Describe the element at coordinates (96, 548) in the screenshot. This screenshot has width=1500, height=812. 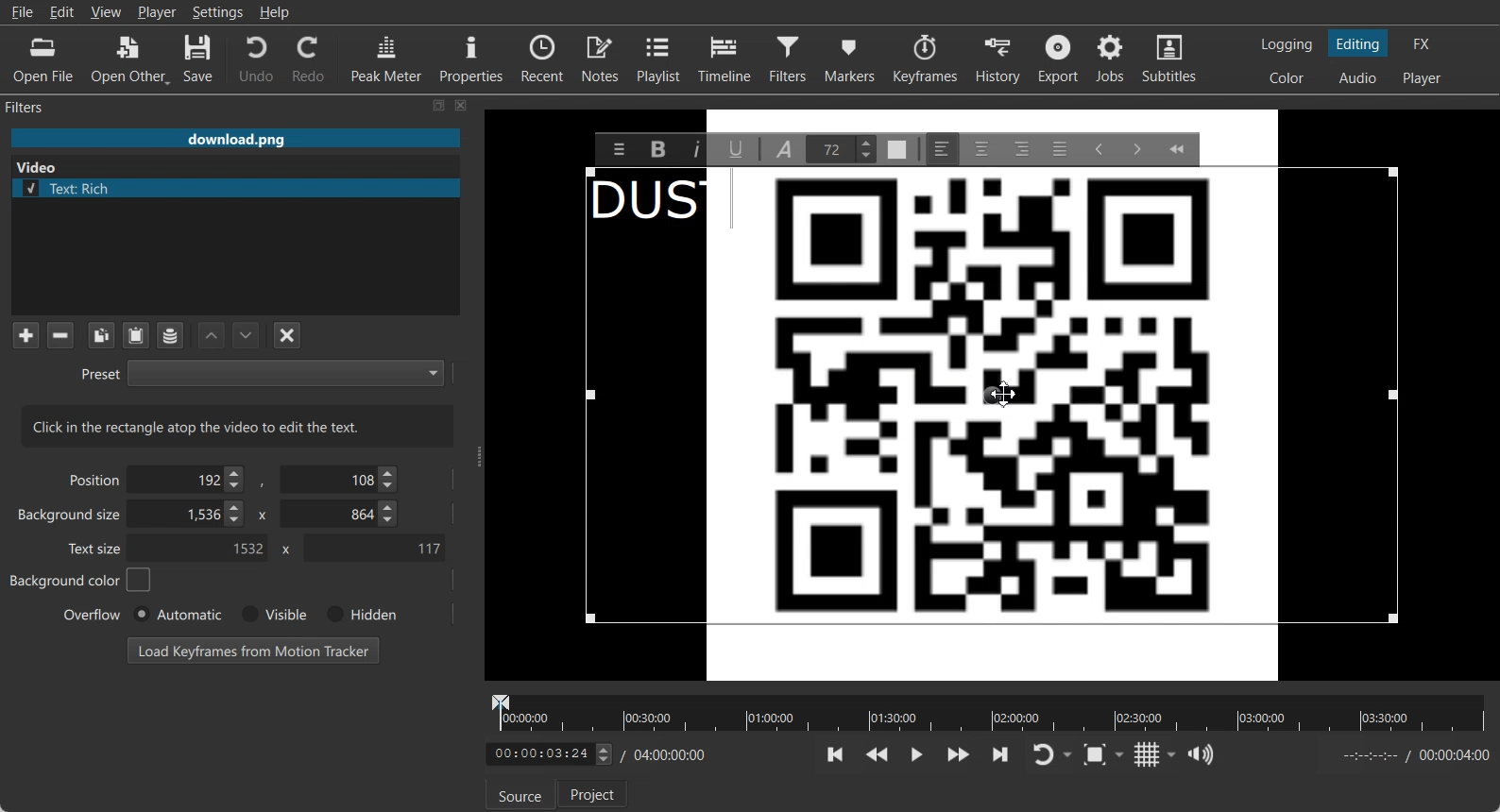
I see `Text size` at that location.